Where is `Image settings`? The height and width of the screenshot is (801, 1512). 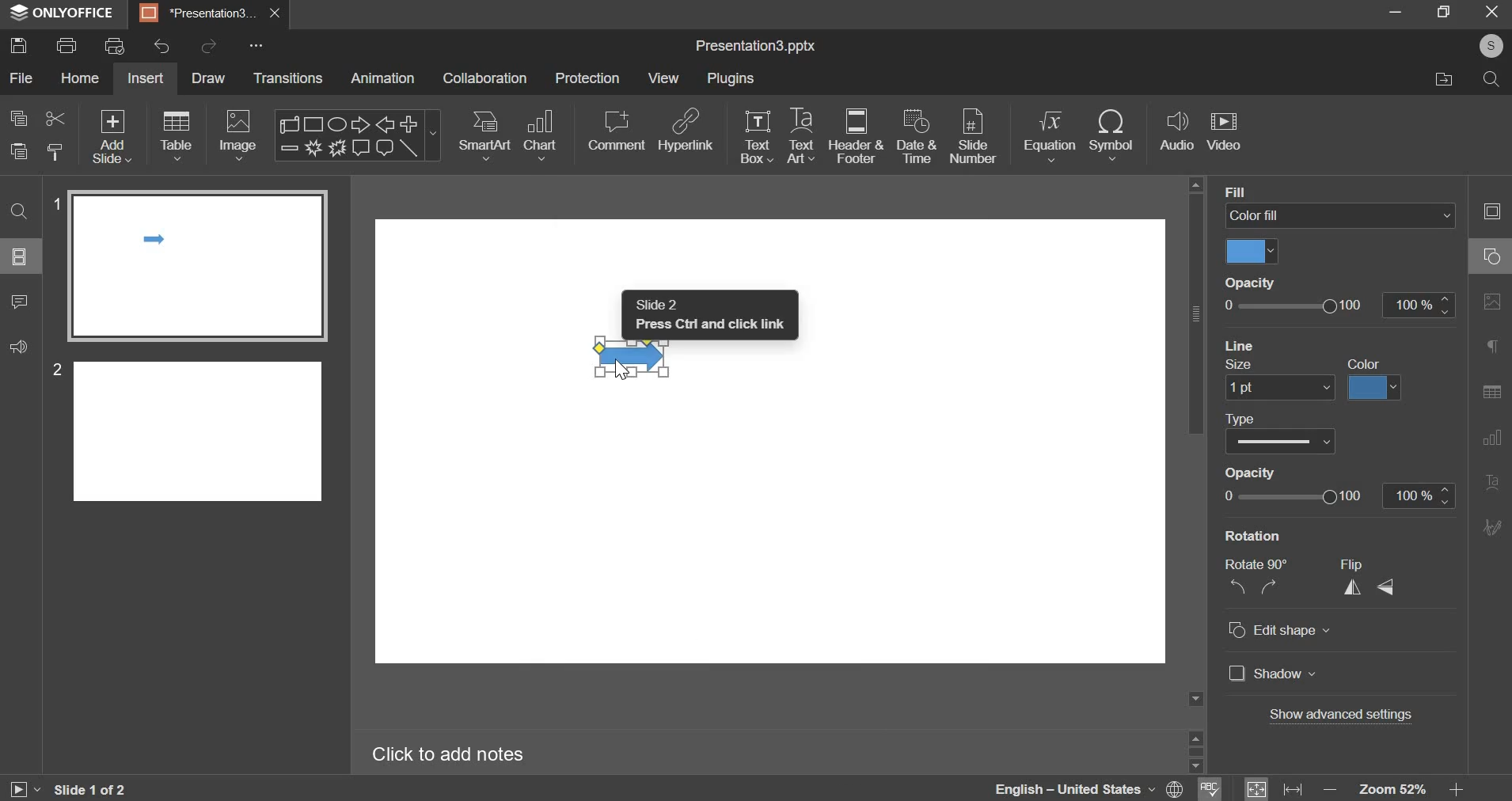 Image settings is located at coordinates (1492, 302).